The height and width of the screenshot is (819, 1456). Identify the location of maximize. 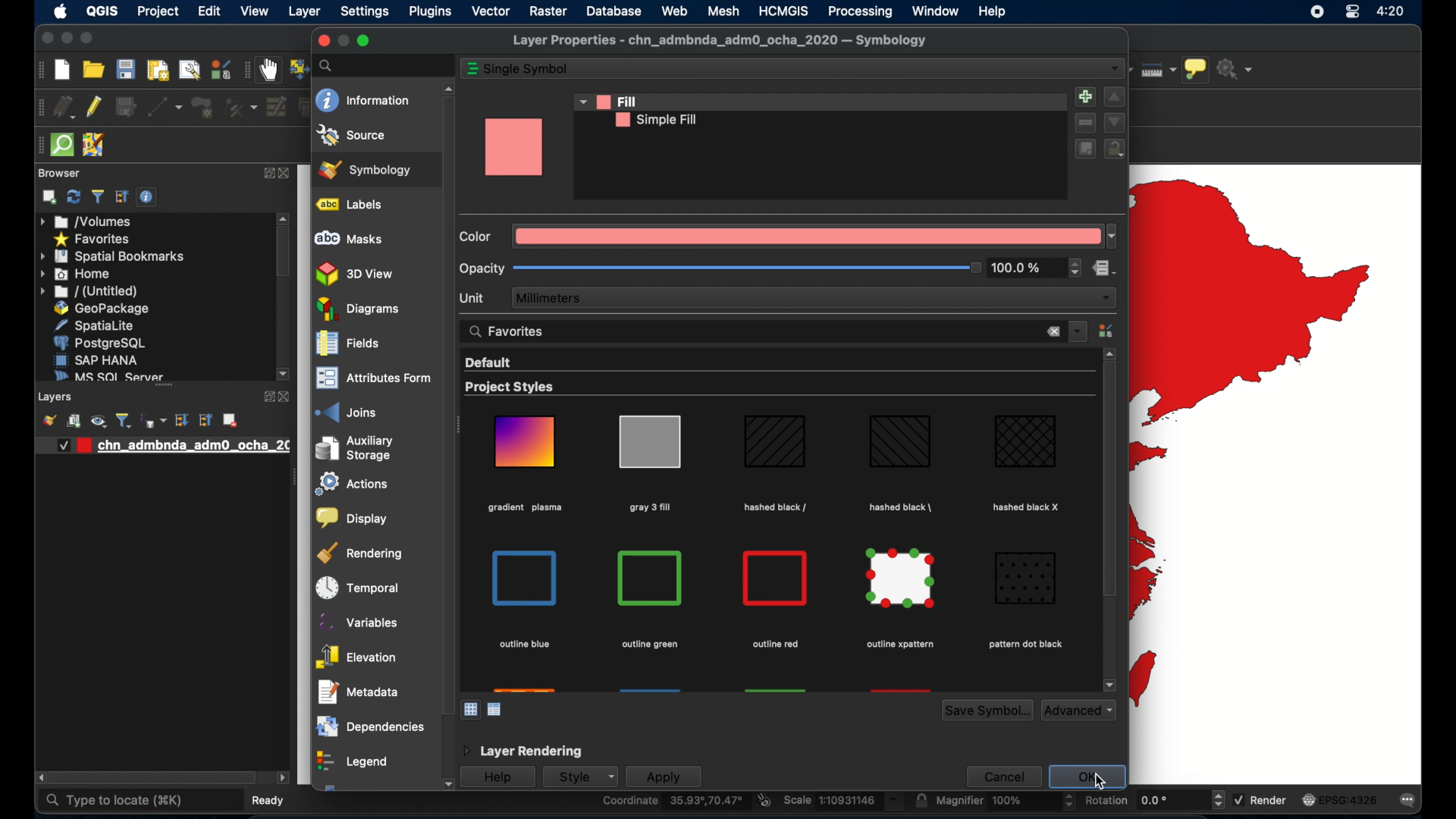
(365, 41).